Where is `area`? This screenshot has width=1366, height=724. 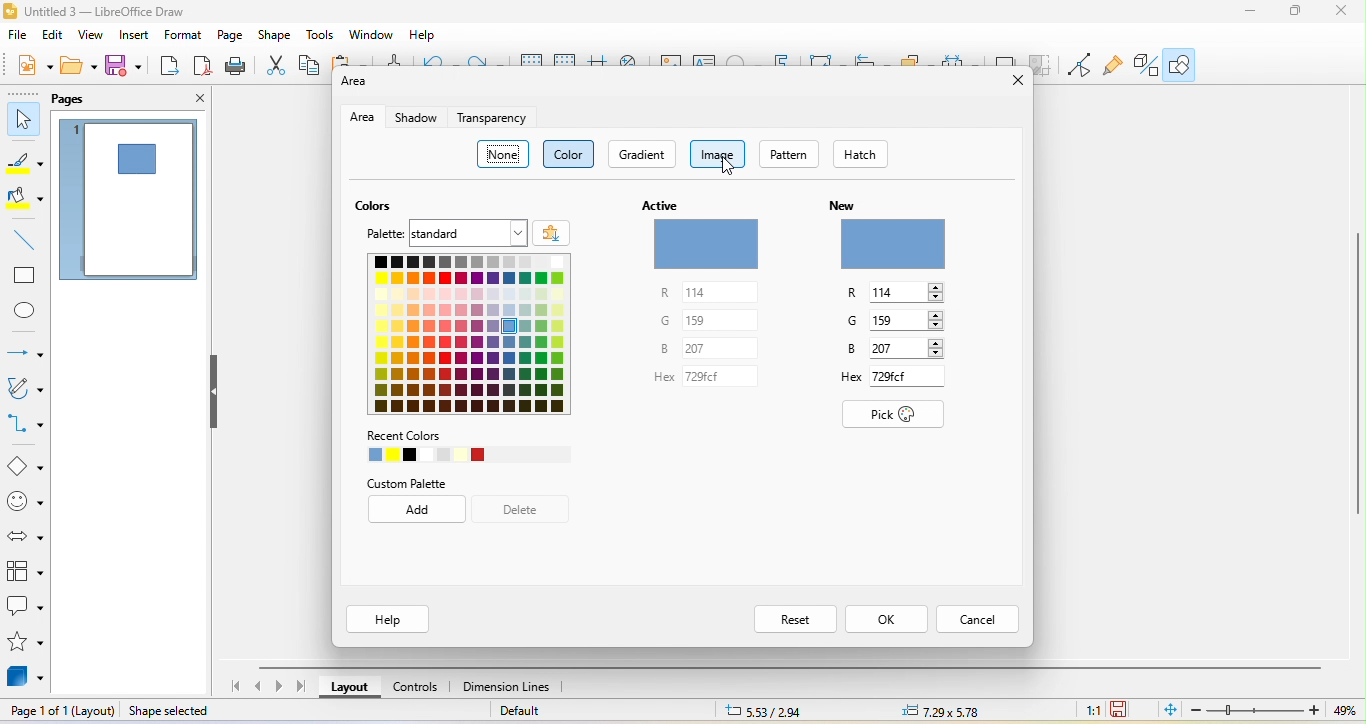
area is located at coordinates (364, 118).